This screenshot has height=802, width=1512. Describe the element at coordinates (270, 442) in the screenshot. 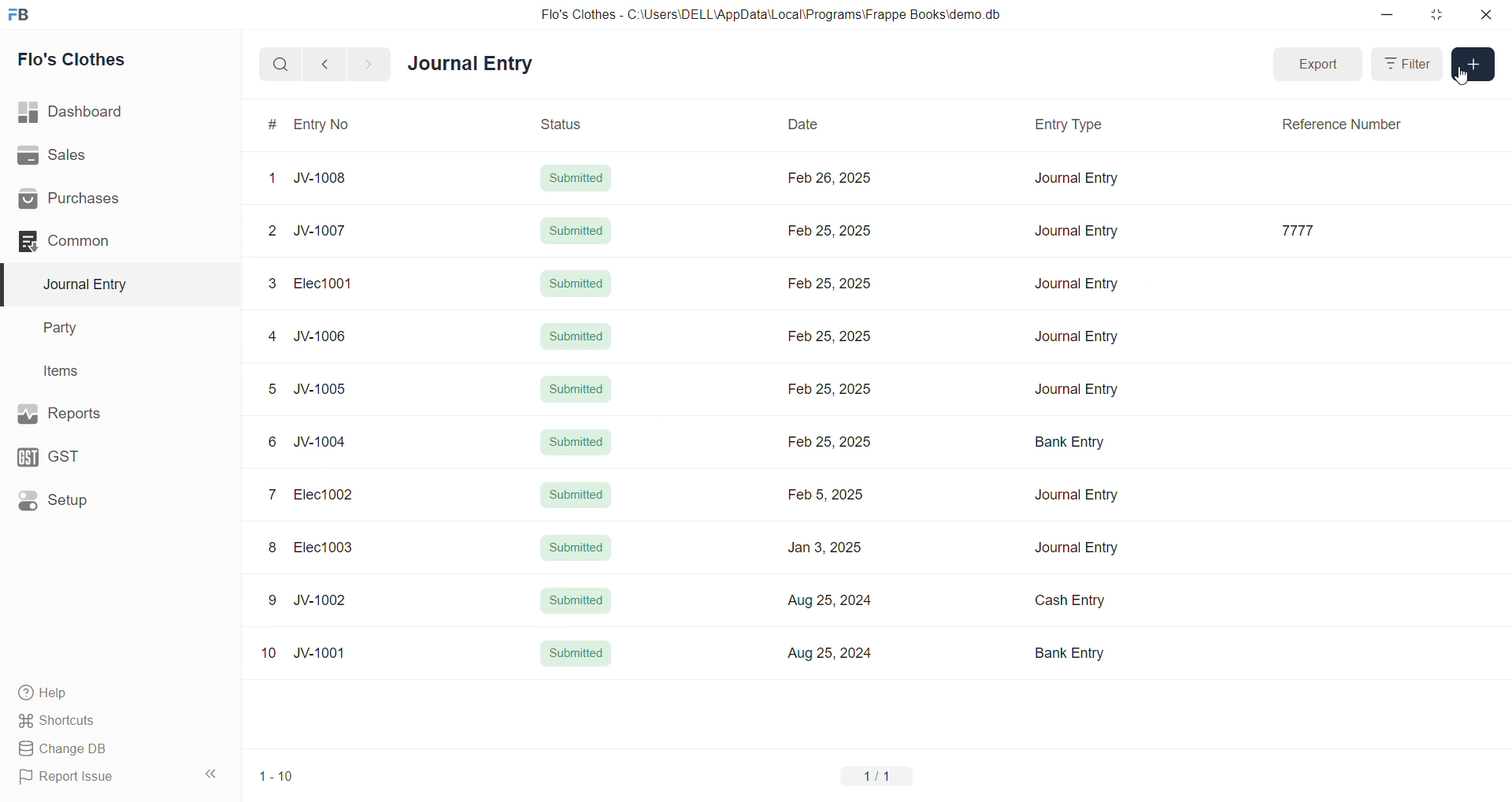

I see `6` at that location.